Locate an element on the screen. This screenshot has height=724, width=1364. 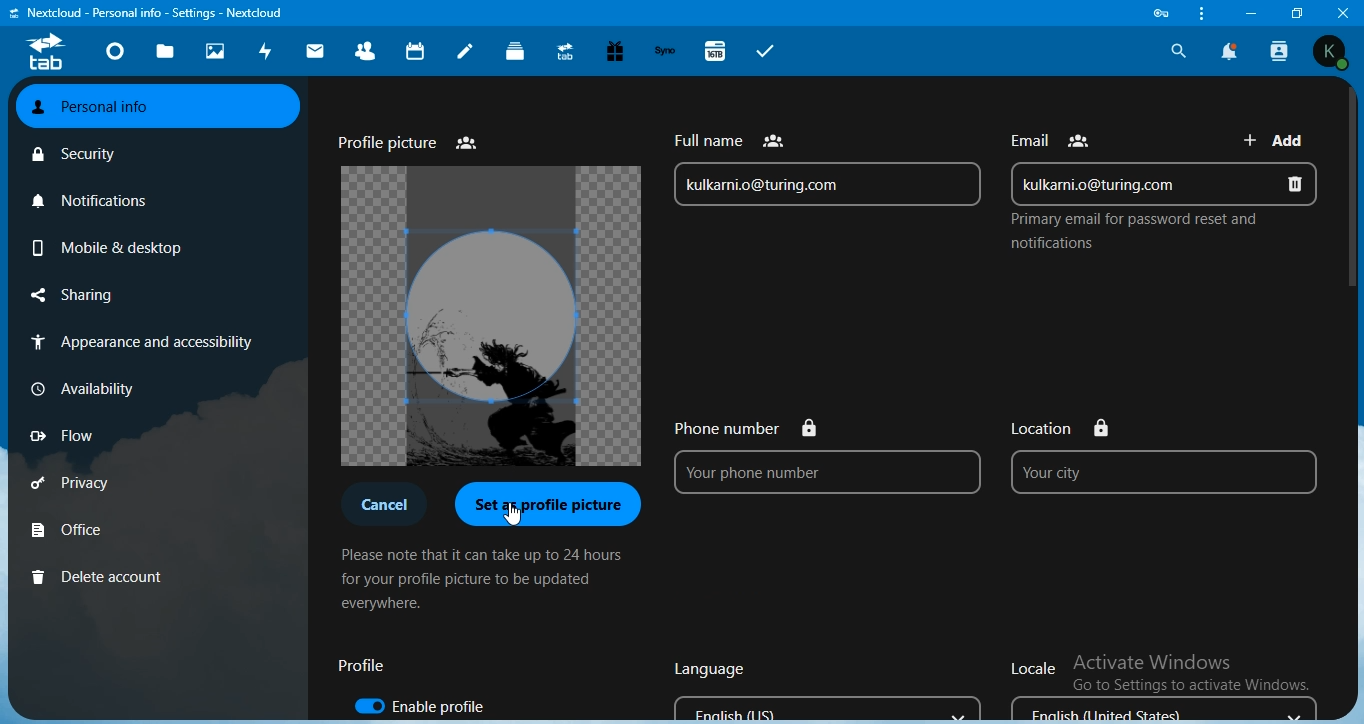
full name is located at coordinates (827, 167).